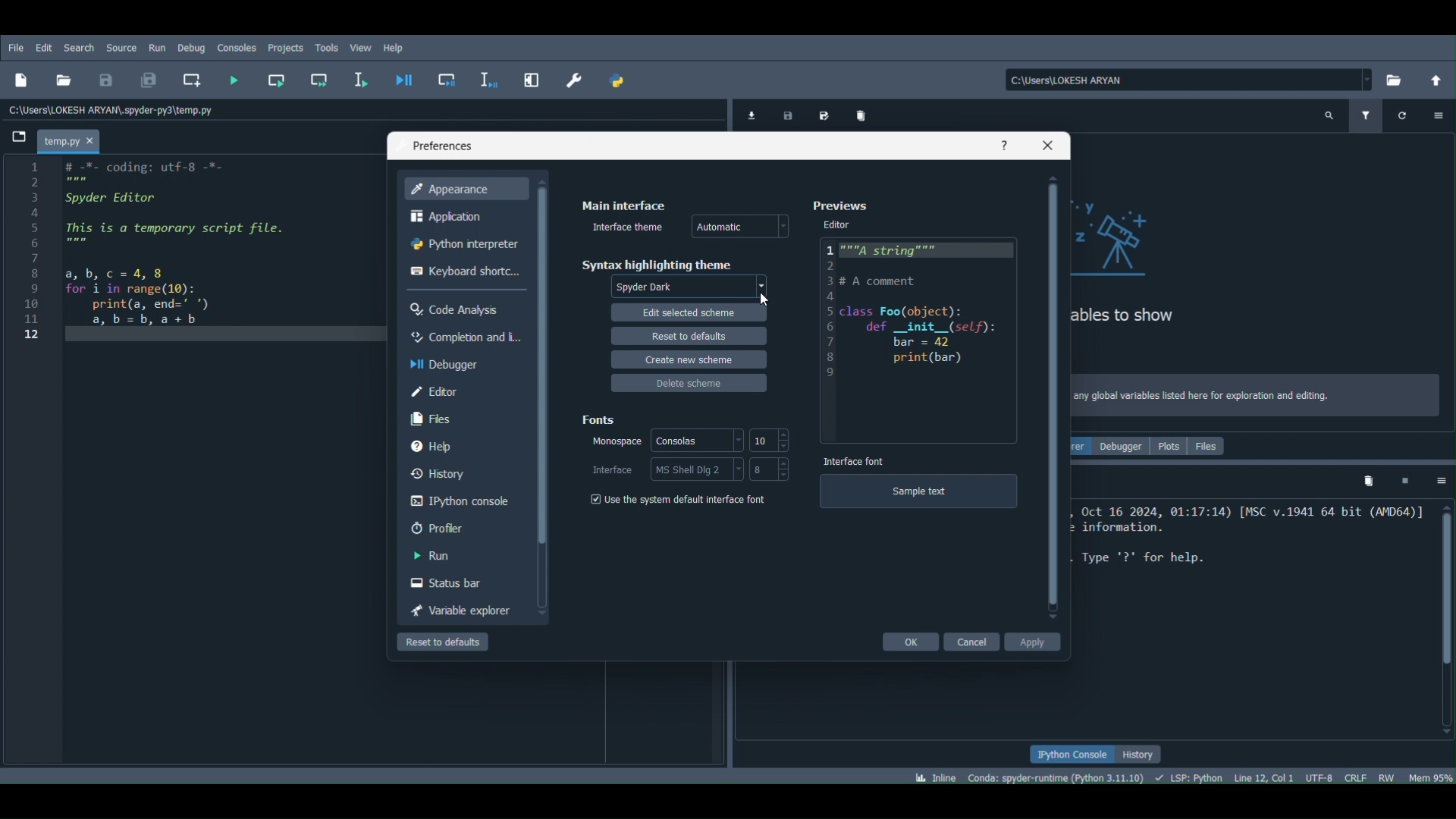  I want to click on Run selection or current line (F9), so click(358, 78).